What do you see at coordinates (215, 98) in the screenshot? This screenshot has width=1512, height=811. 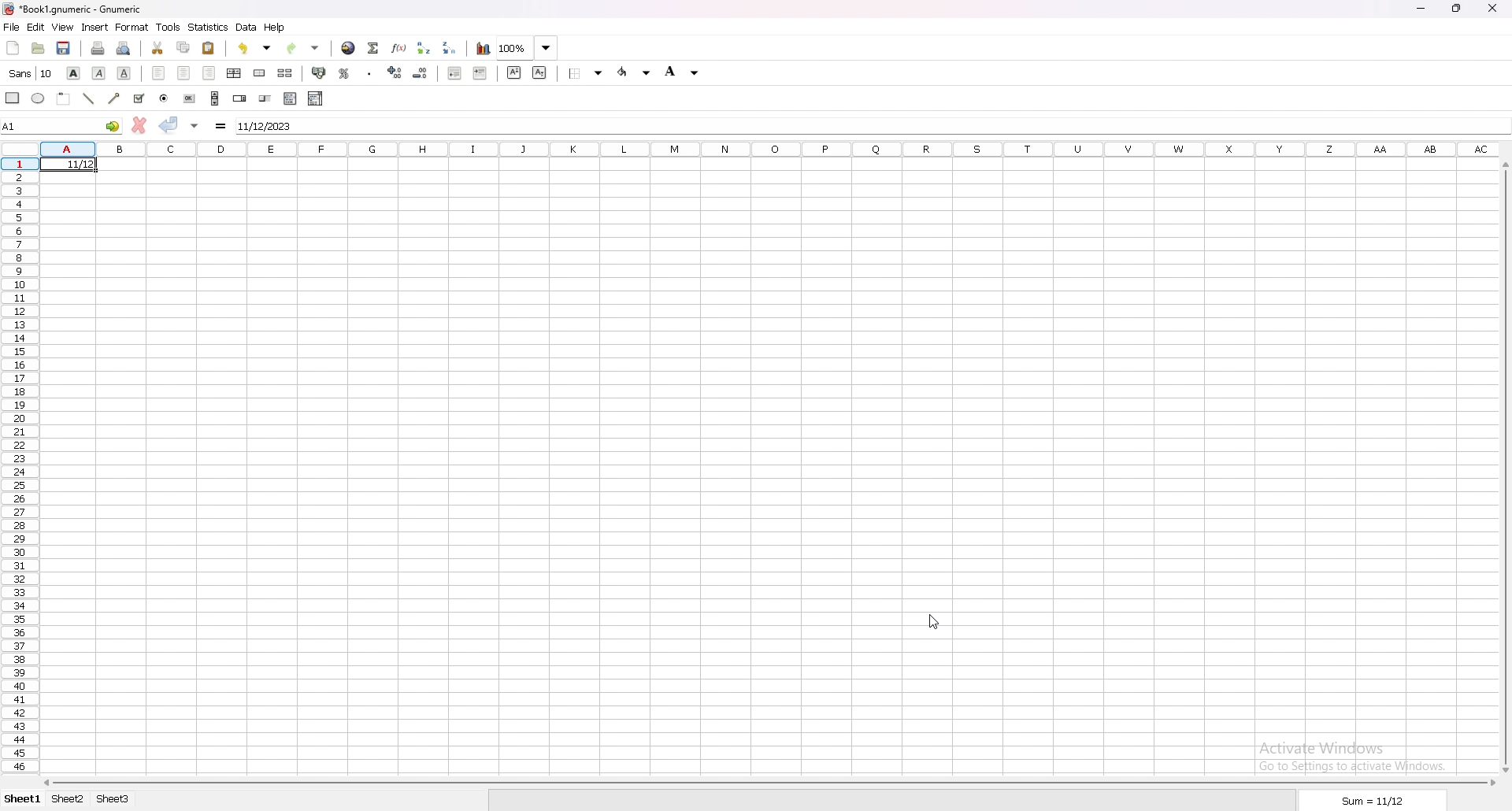 I see `scroll bar` at bounding box center [215, 98].